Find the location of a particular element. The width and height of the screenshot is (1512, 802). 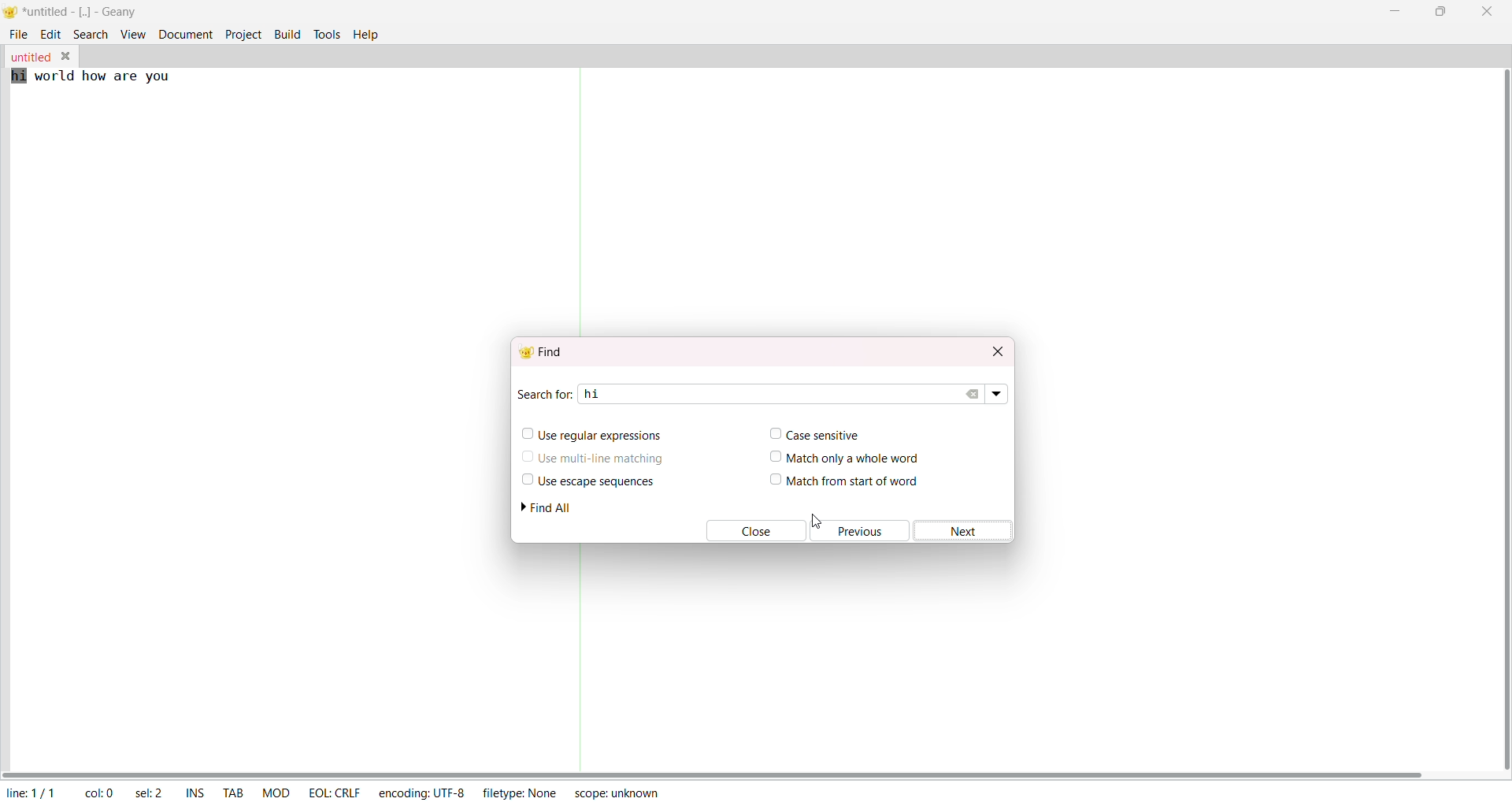

file is located at coordinates (17, 34).